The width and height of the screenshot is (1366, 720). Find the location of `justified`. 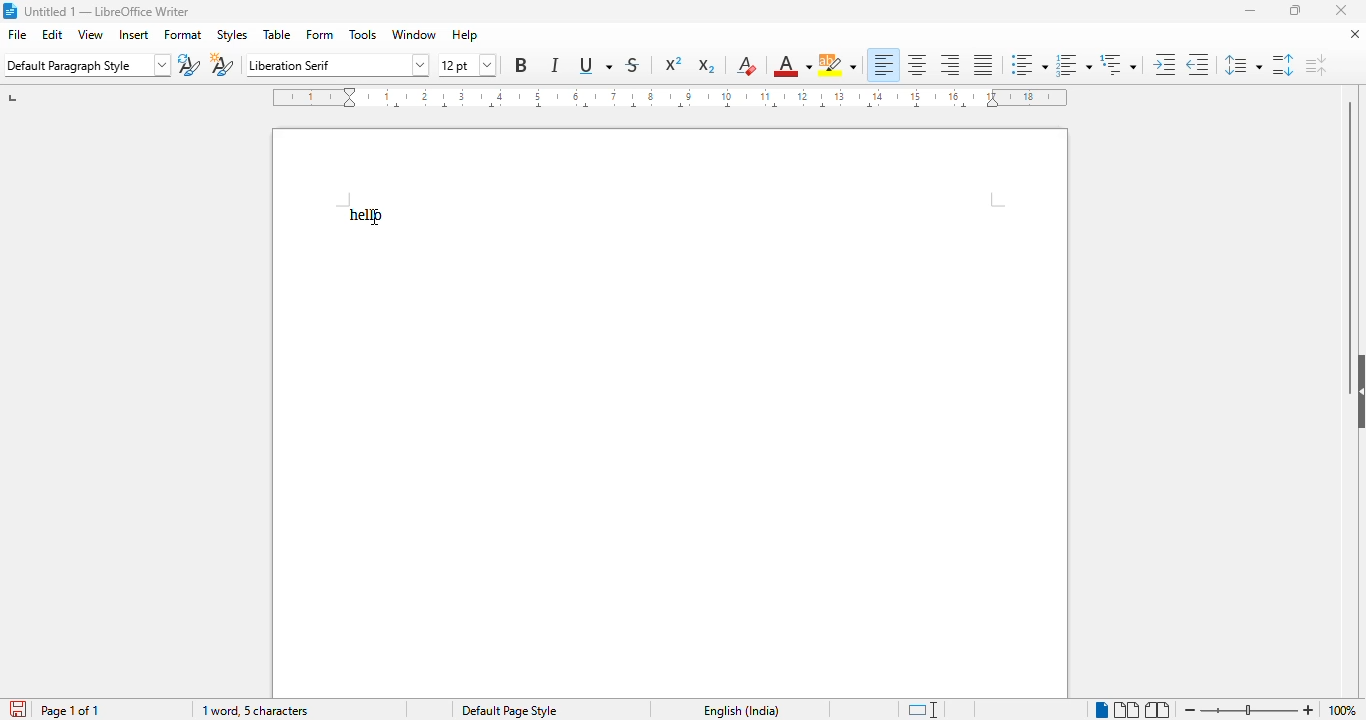

justified is located at coordinates (984, 65).